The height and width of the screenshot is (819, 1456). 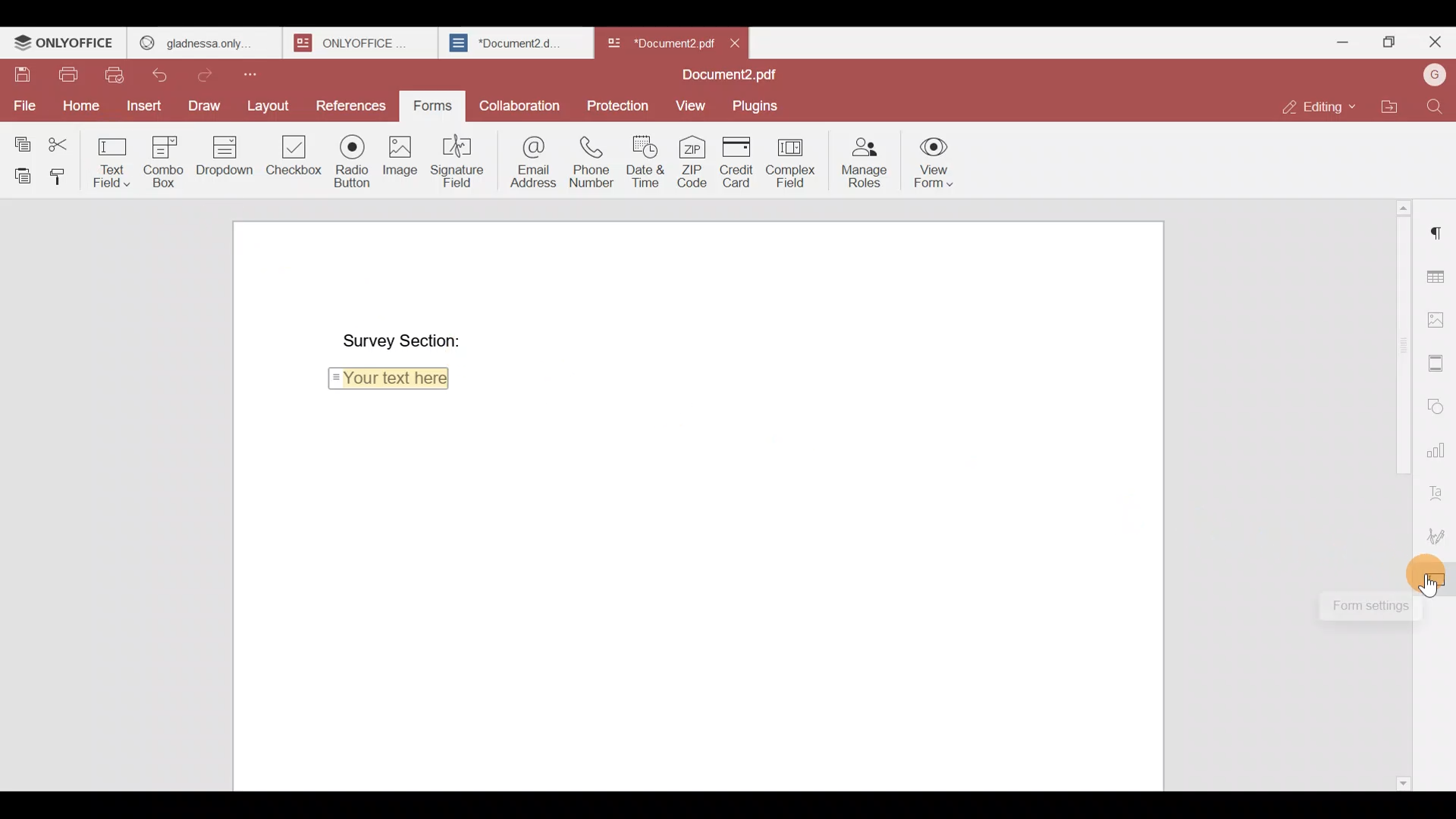 I want to click on Draw, so click(x=204, y=105).